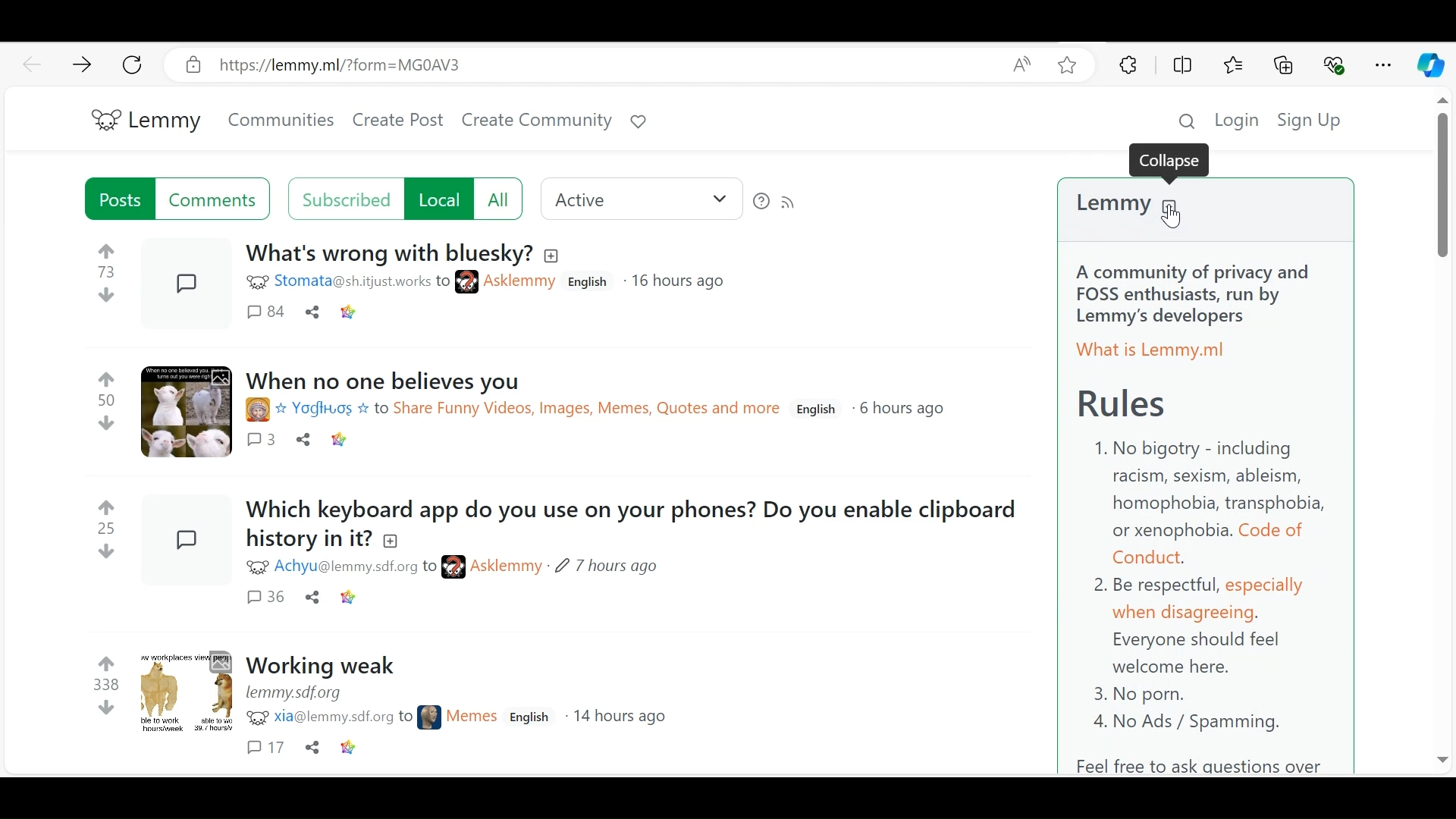 The height and width of the screenshot is (819, 1456). I want to click on Posts, so click(183, 412).